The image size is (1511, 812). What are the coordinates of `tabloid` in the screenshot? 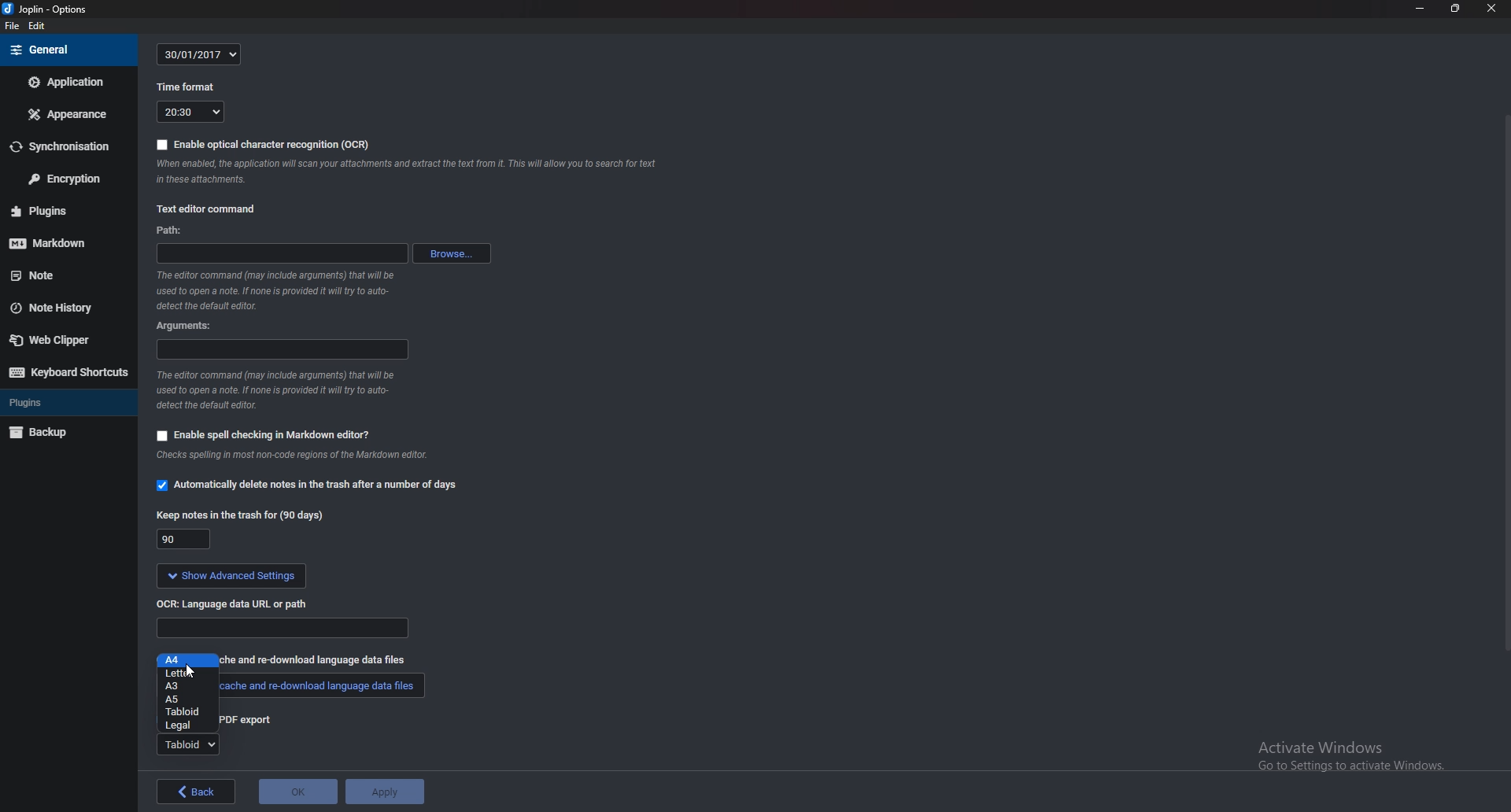 It's located at (187, 746).